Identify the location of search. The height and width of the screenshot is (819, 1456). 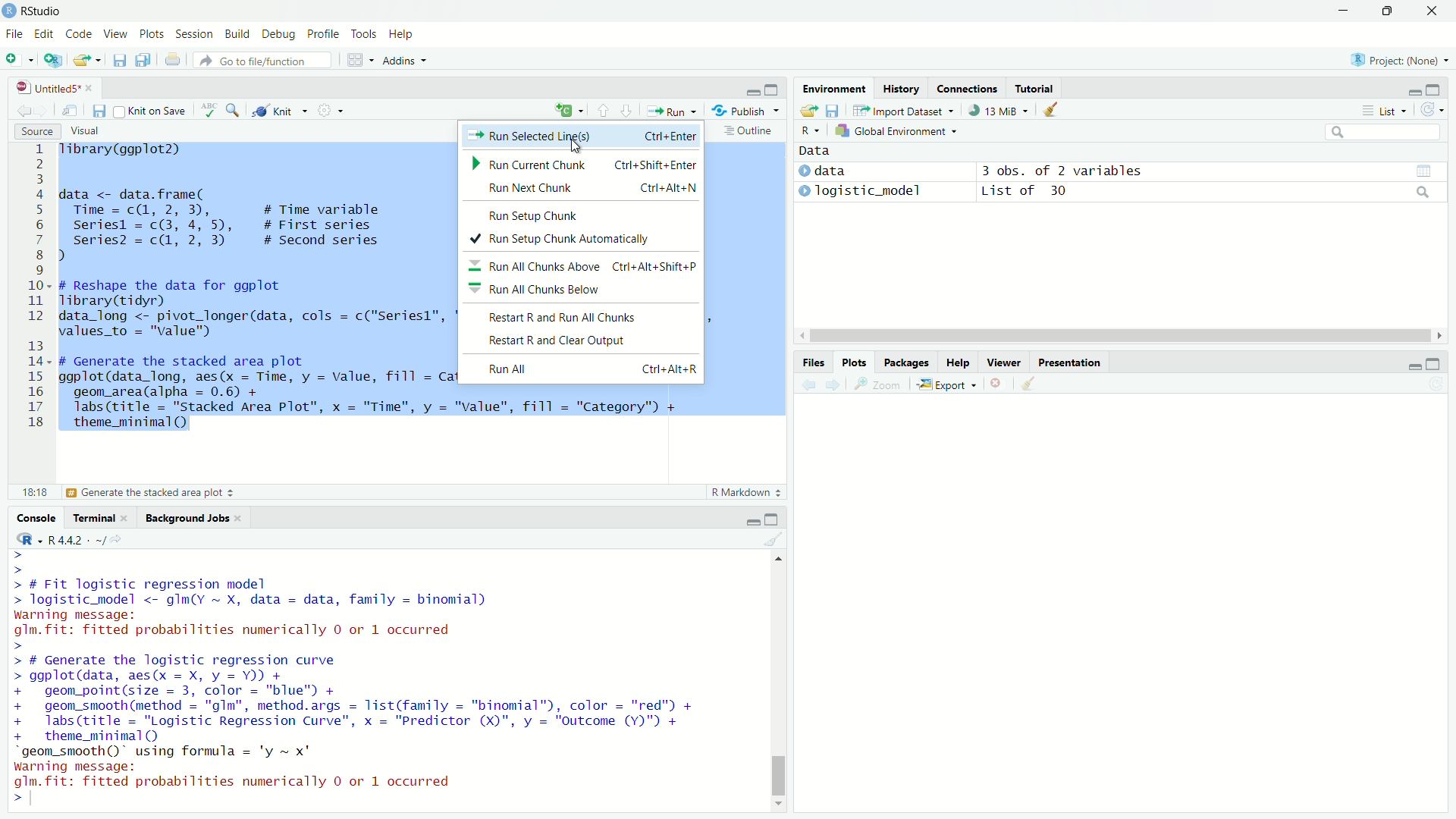
(1423, 195).